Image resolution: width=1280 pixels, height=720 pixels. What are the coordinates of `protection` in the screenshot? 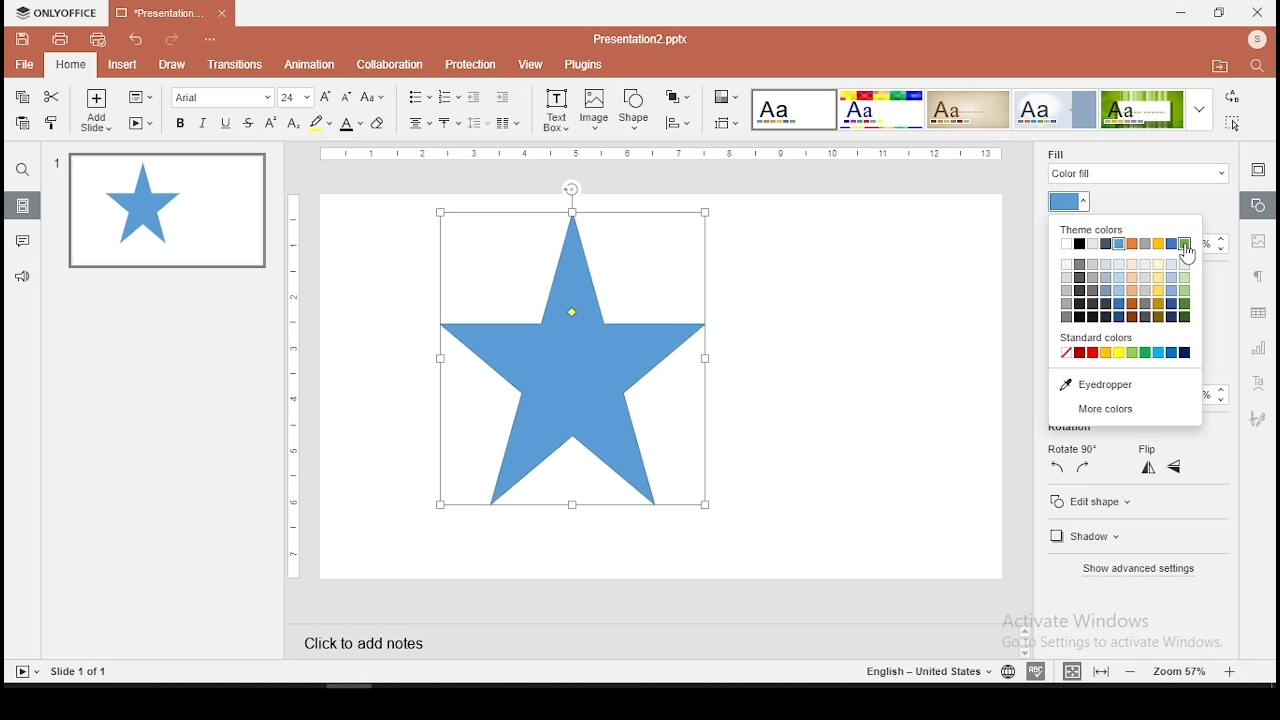 It's located at (468, 65).